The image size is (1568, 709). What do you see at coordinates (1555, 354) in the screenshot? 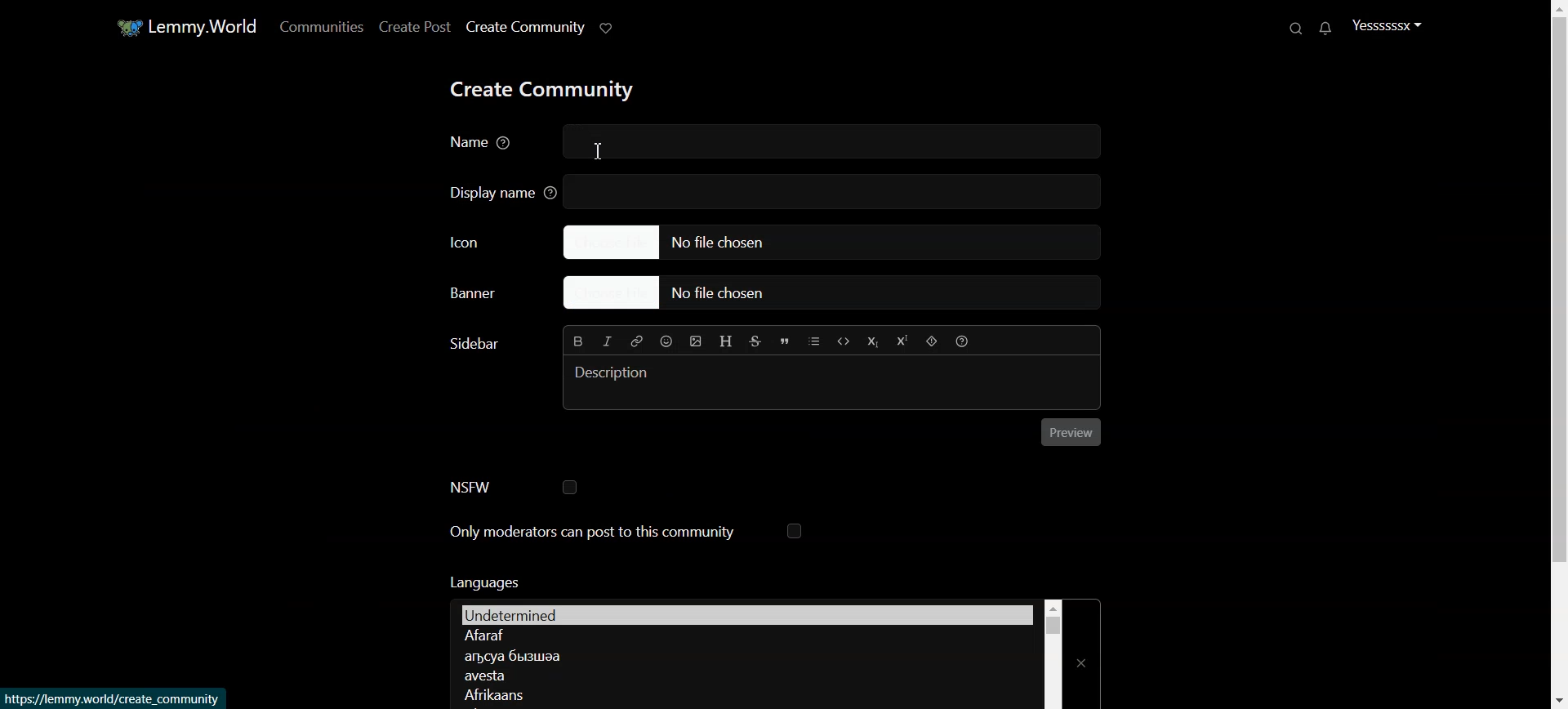
I see `Vertical Scroll bar` at bounding box center [1555, 354].